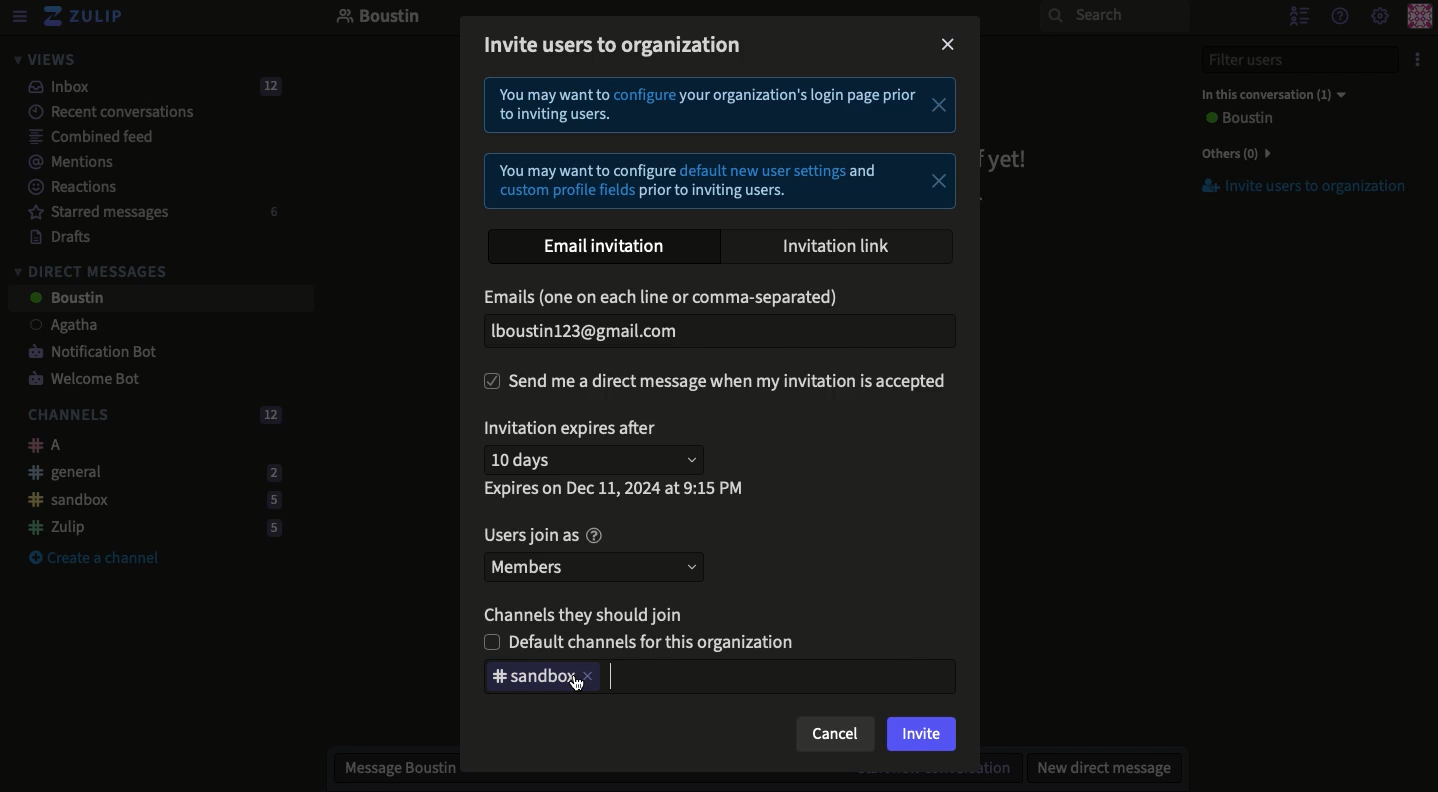  I want to click on Settings, so click(1380, 17).